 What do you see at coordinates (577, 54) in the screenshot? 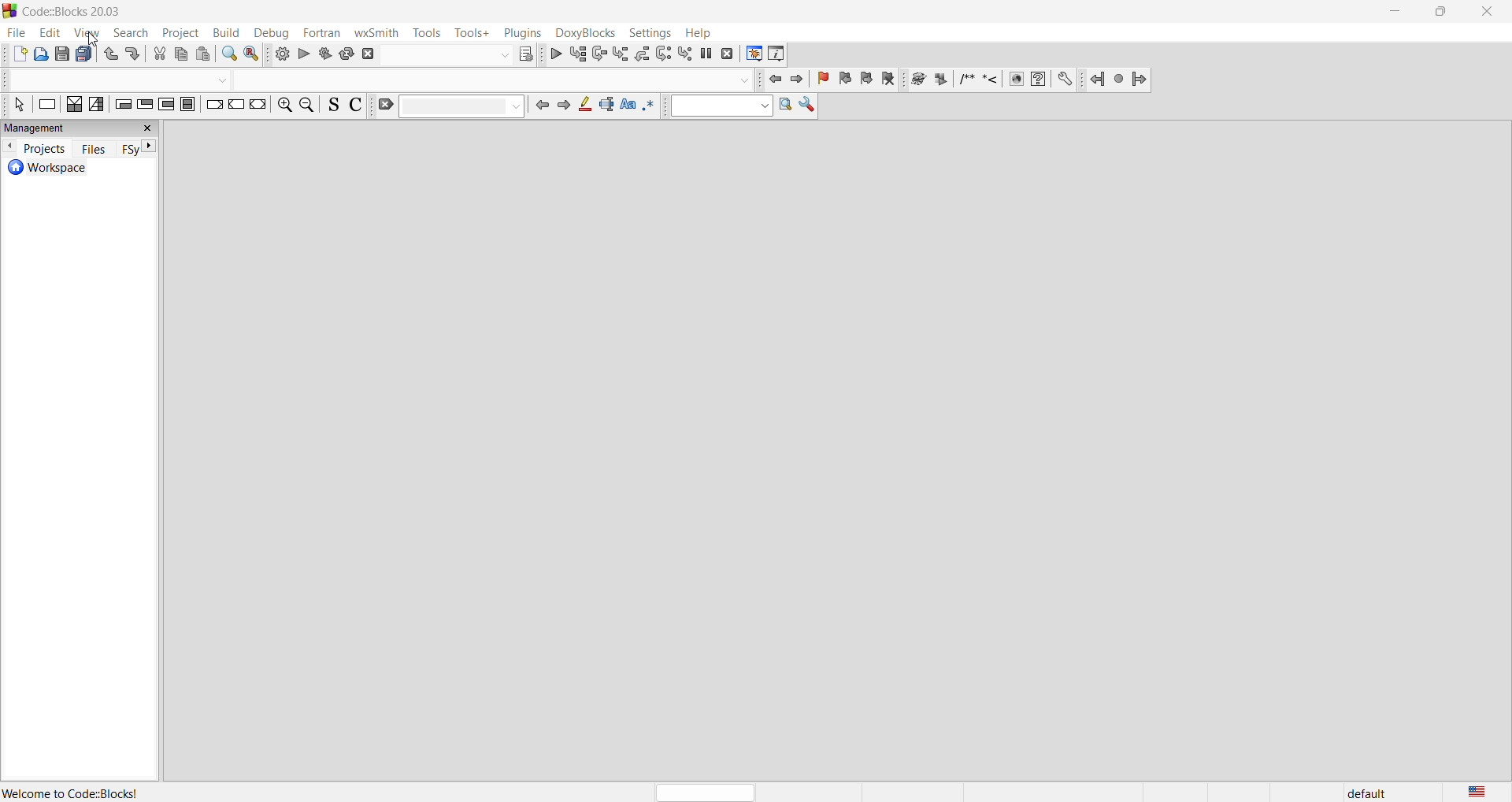
I see `run to cursor` at bounding box center [577, 54].